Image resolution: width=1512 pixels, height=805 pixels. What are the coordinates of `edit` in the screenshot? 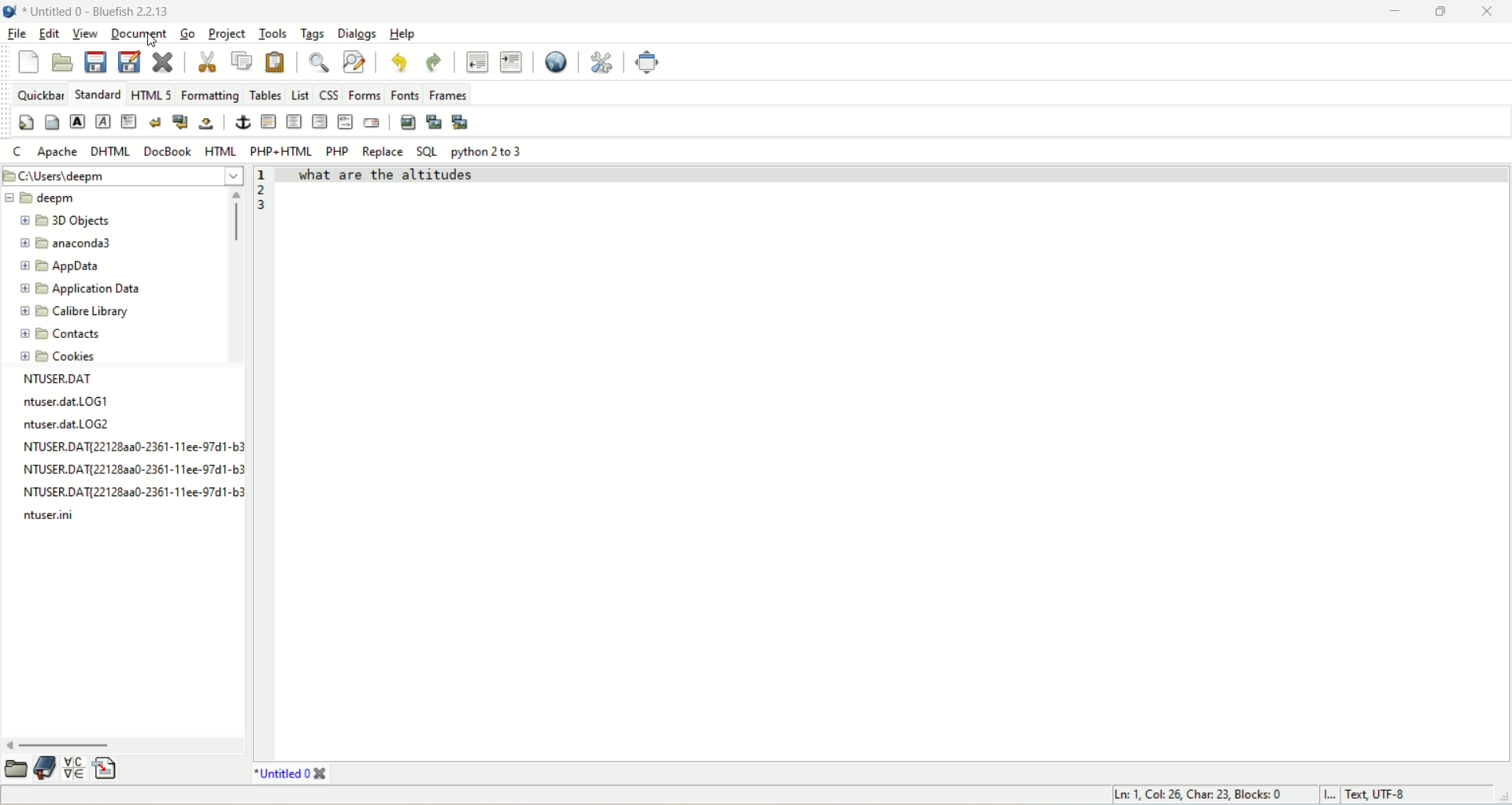 It's located at (48, 35).